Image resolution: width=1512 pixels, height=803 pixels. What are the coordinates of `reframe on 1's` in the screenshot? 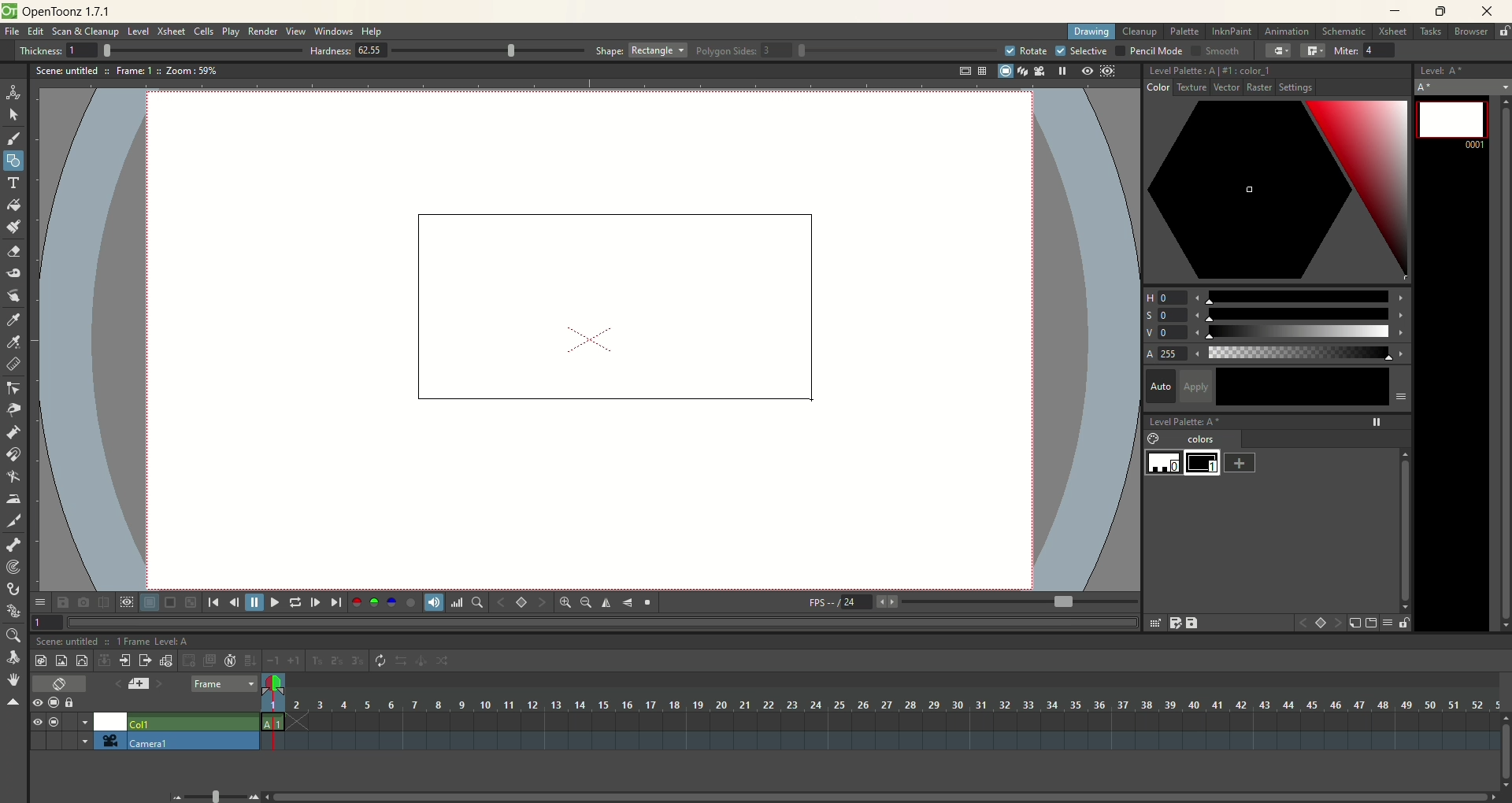 It's located at (317, 661).